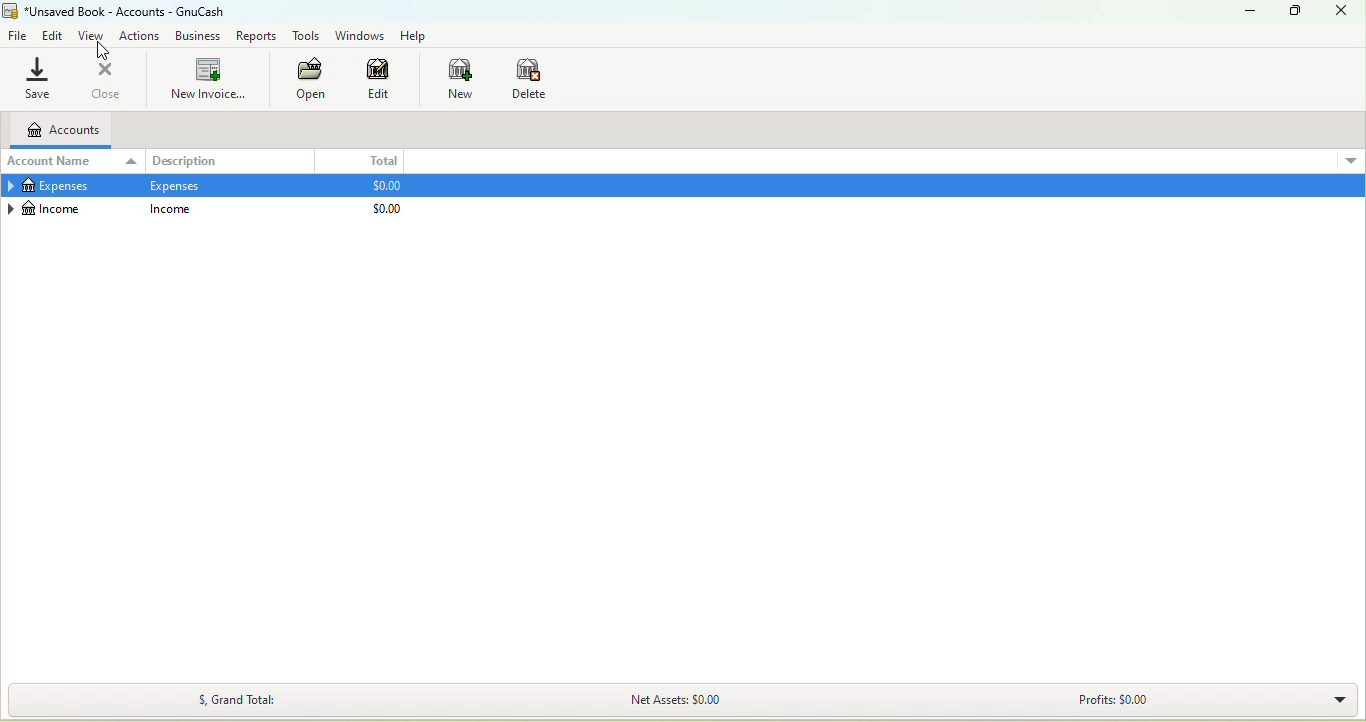  I want to click on Report, so click(259, 37).